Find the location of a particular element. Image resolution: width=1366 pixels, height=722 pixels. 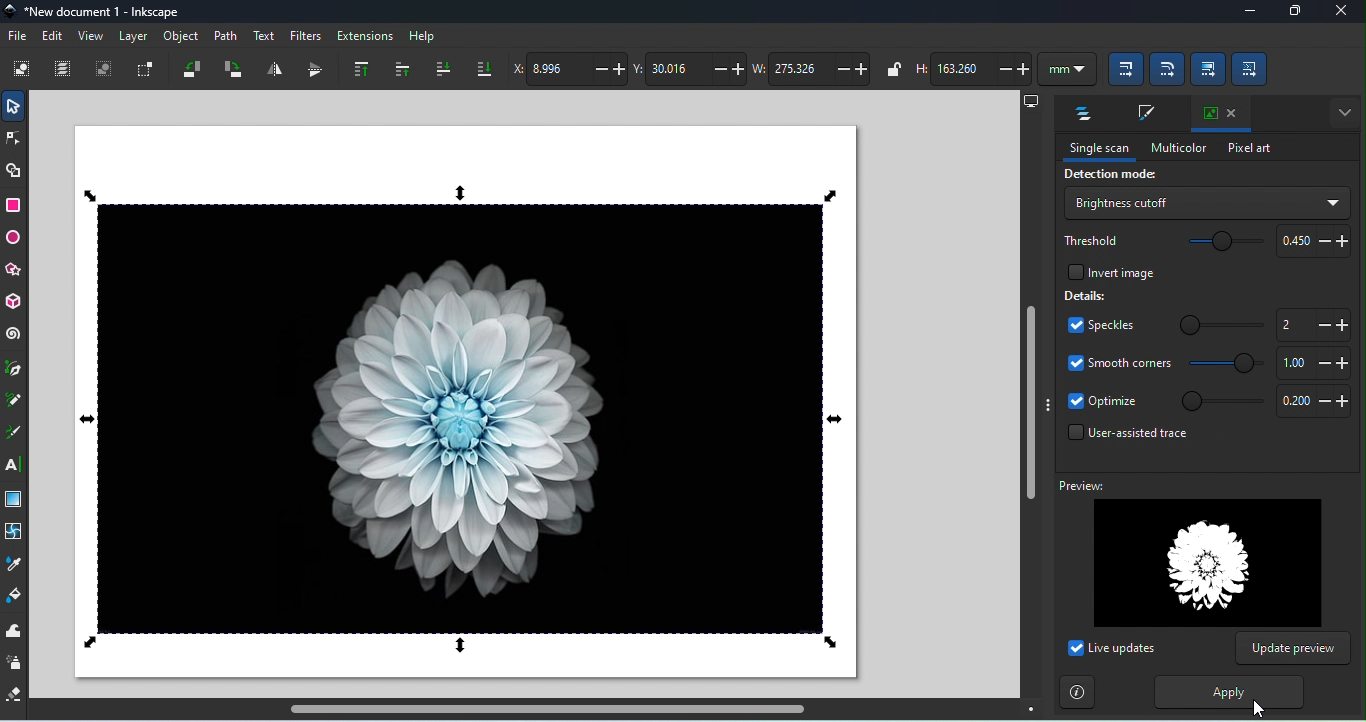

Fill and stroke is located at coordinates (1144, 114).